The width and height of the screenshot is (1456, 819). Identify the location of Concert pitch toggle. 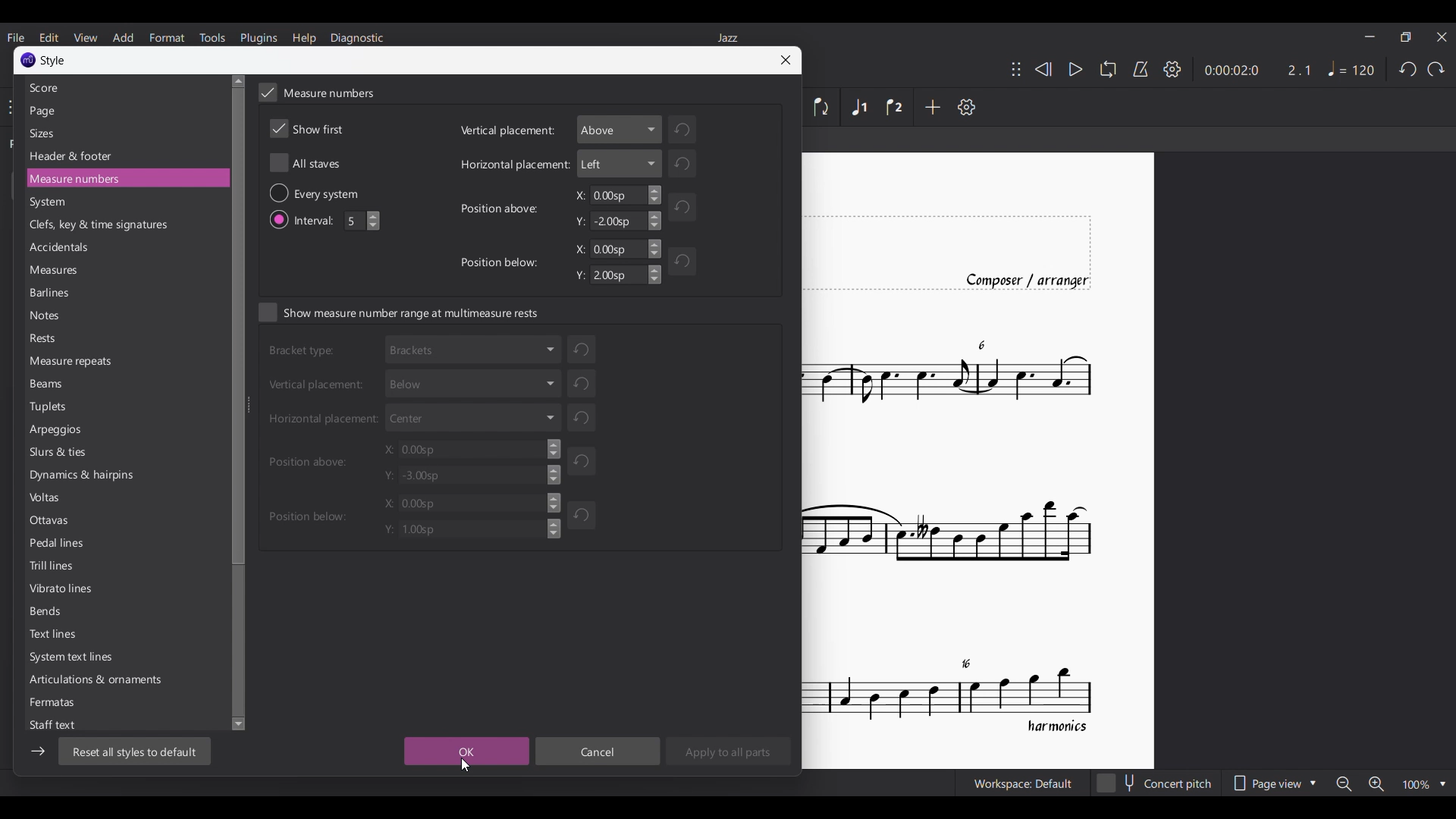
(1156, 783).